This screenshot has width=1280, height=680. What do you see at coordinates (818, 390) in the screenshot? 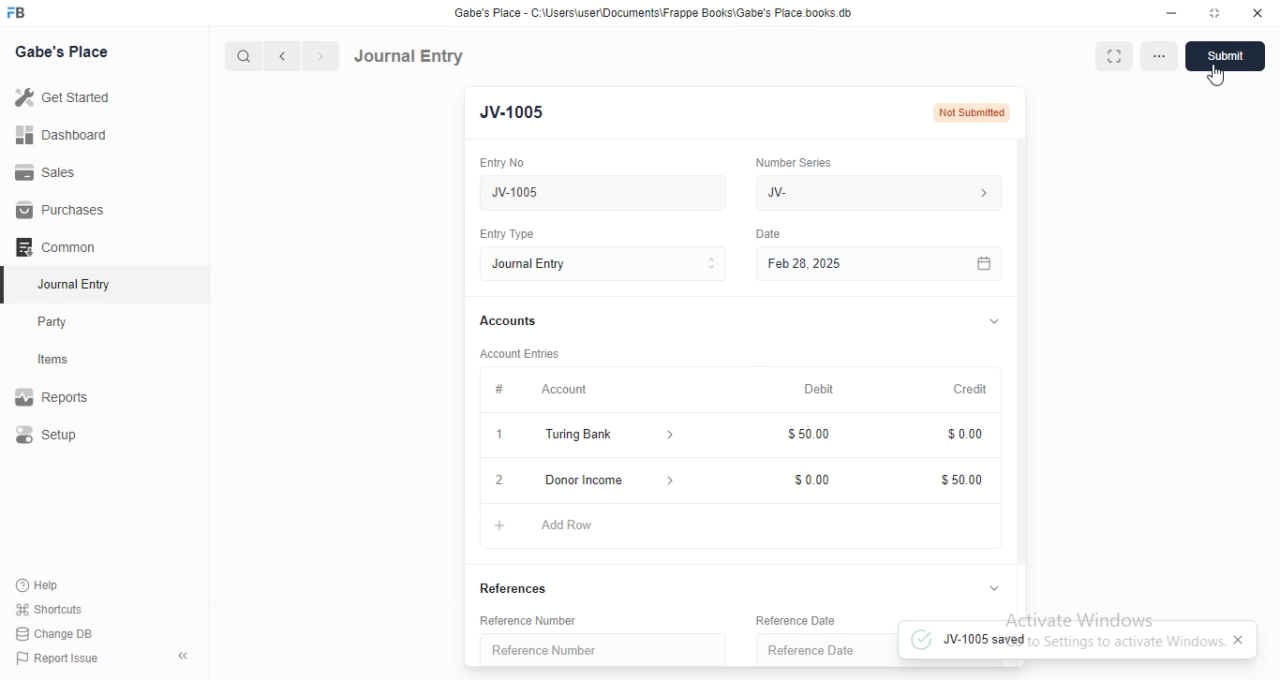
I see `Debit` at bounding box center [818, 390].